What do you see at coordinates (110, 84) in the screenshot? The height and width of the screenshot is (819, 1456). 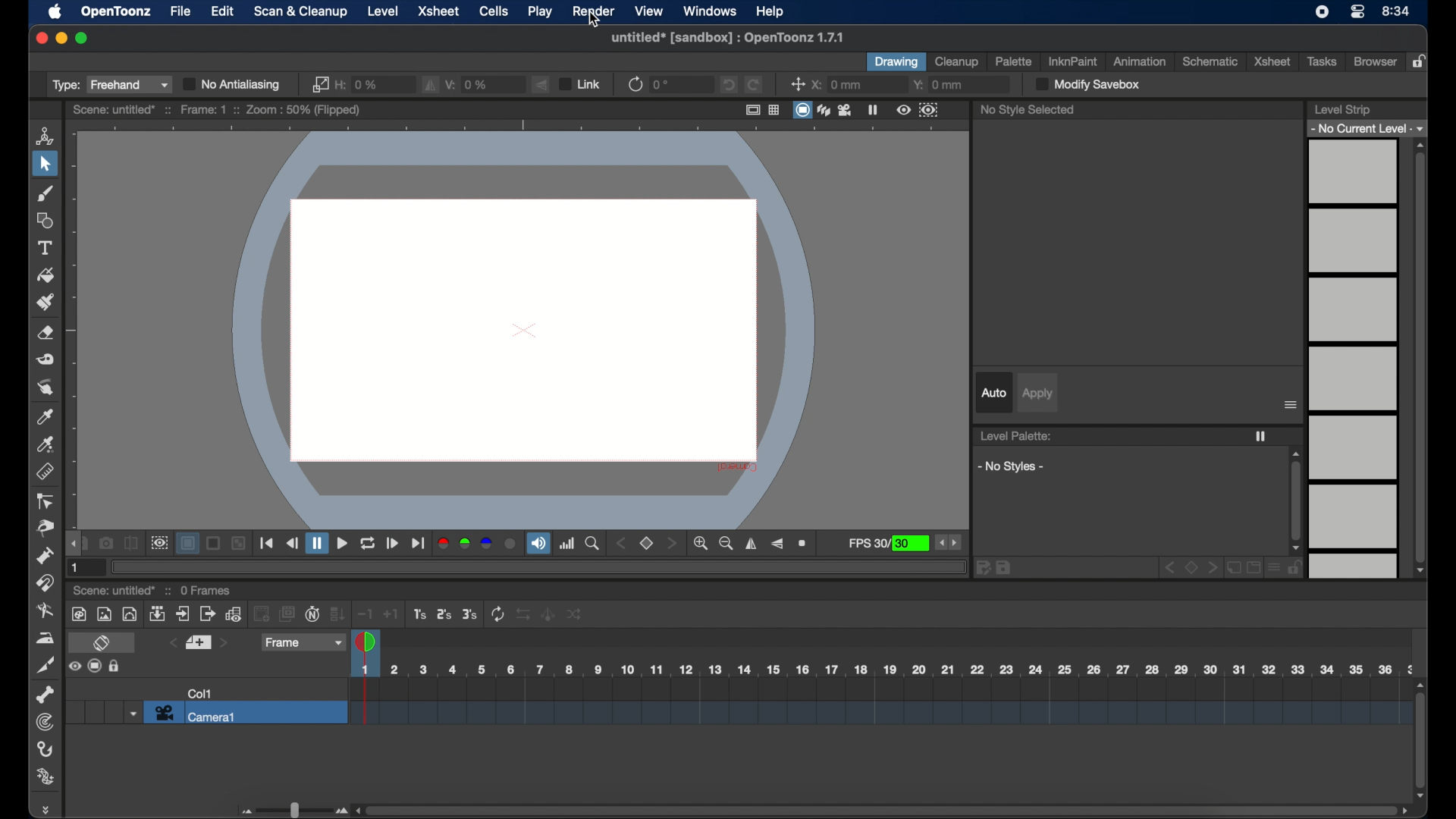 I see `type` at bounding box center [110, 84].